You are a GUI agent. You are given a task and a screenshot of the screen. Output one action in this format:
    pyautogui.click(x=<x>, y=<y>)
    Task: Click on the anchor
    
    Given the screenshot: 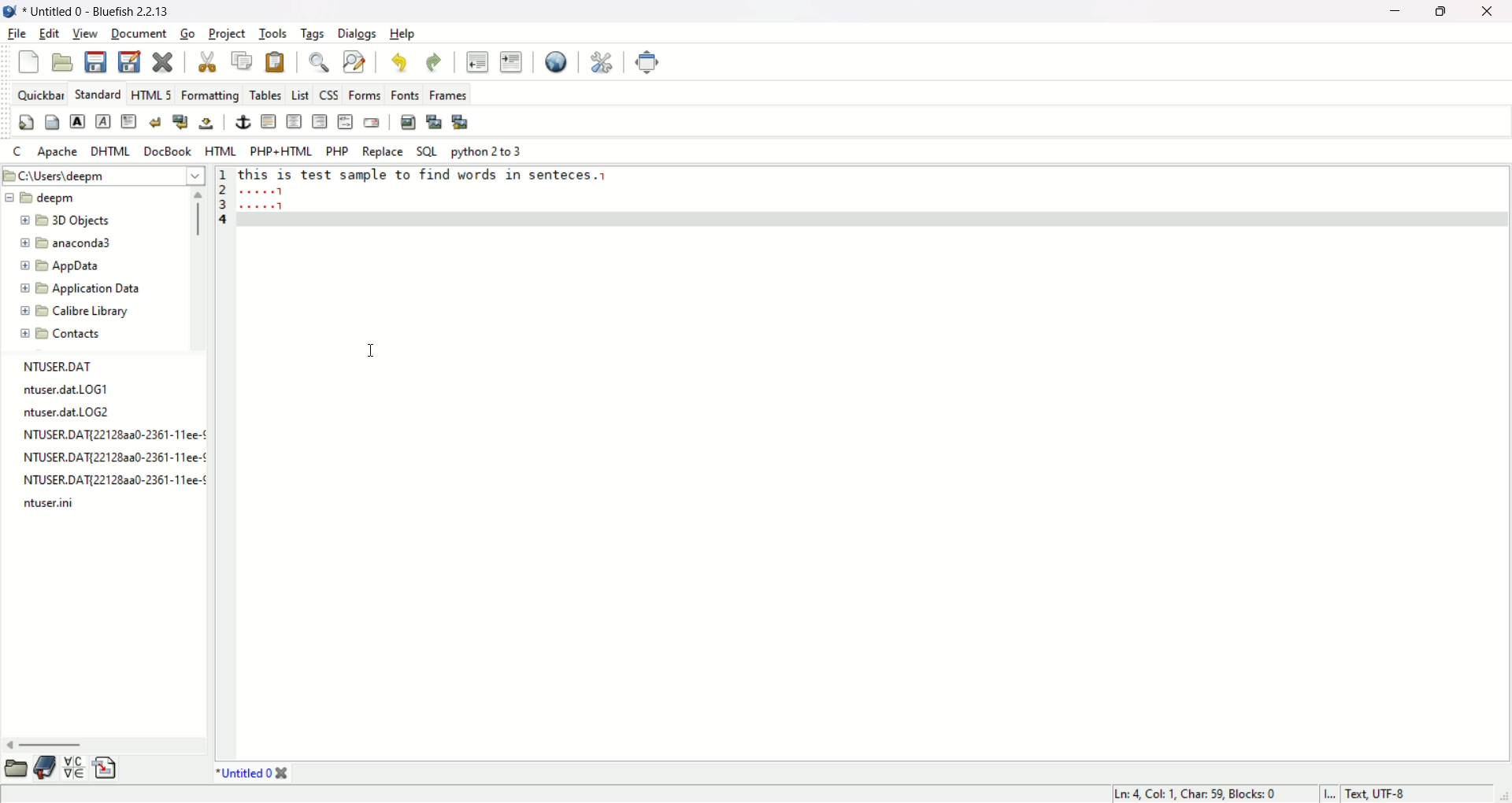 What is the action you would take?
    pyautogui.click(x=243, y=123)
    